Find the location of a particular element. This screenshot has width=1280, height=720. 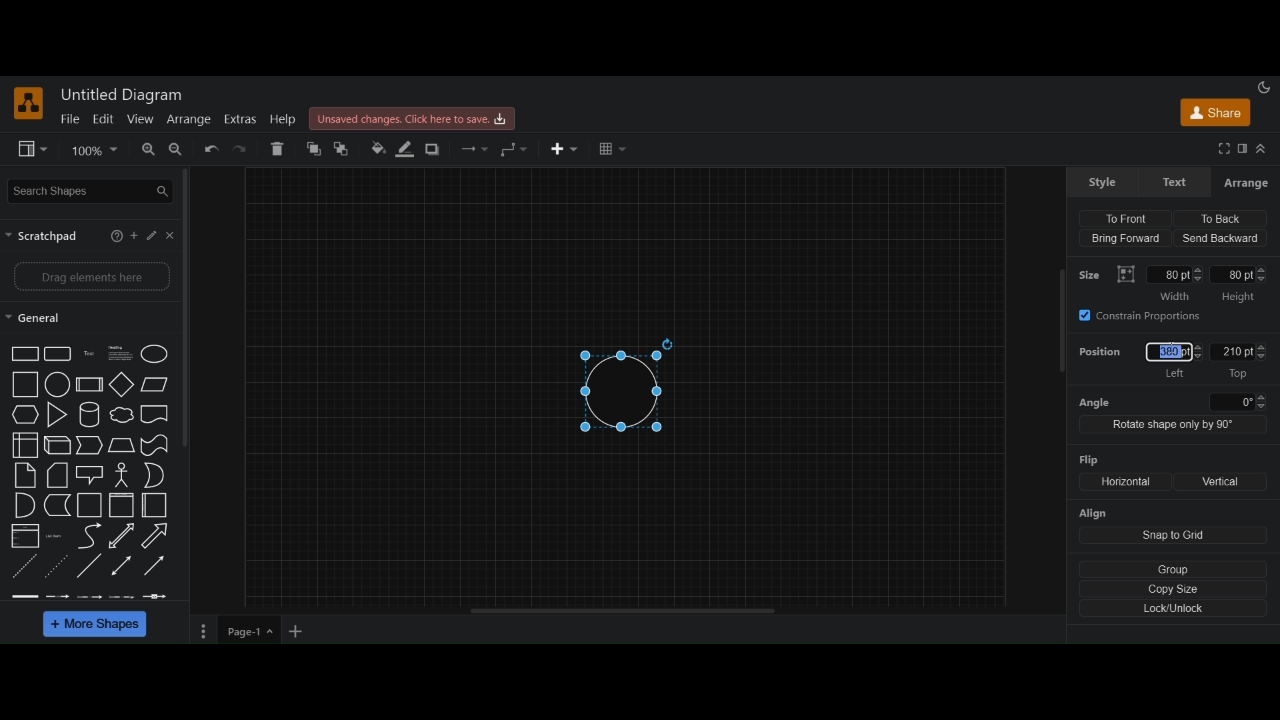

Cube is located at coordinates (89, 384).